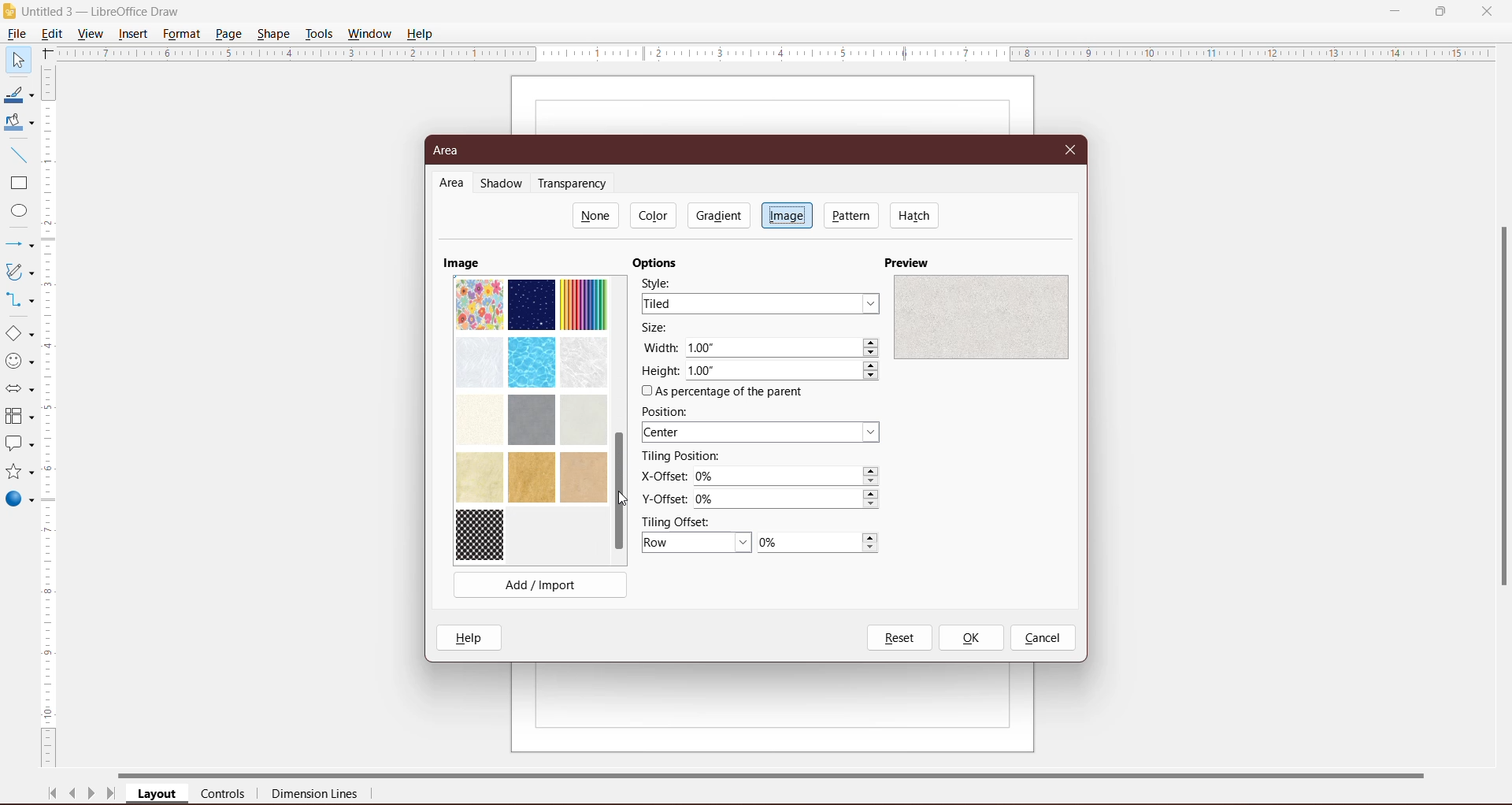 This screenshot has height=805, width=1512. Describe the element at coordinates (18, 271) in the screenshot. I see `Curves and Polygons` at that location.